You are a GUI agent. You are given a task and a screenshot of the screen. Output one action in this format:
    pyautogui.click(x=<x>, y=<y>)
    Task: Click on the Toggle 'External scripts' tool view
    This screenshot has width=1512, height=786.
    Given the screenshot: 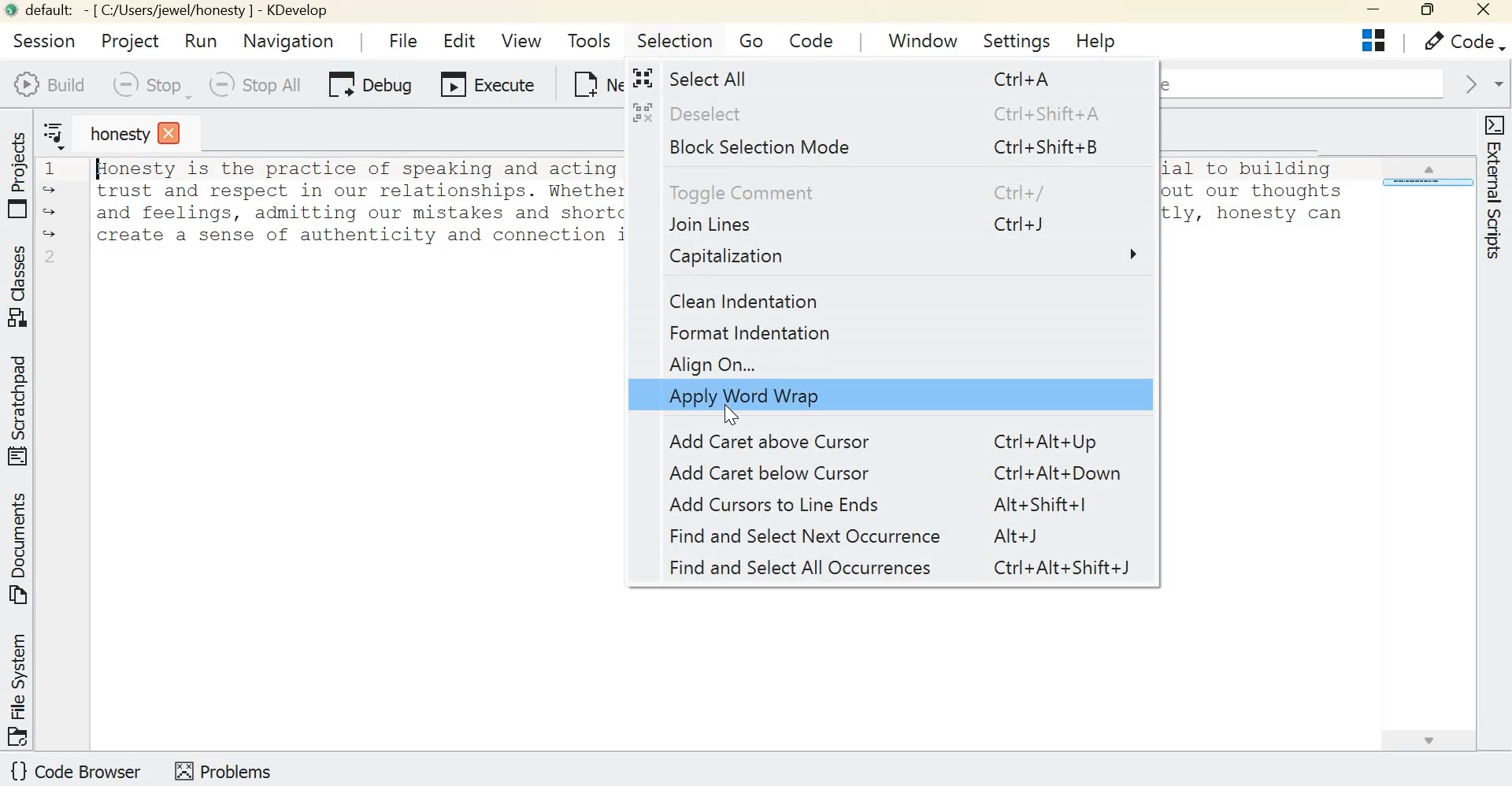 What is the action you would take?
    pyautogui.click(x=1493, y=191)
    